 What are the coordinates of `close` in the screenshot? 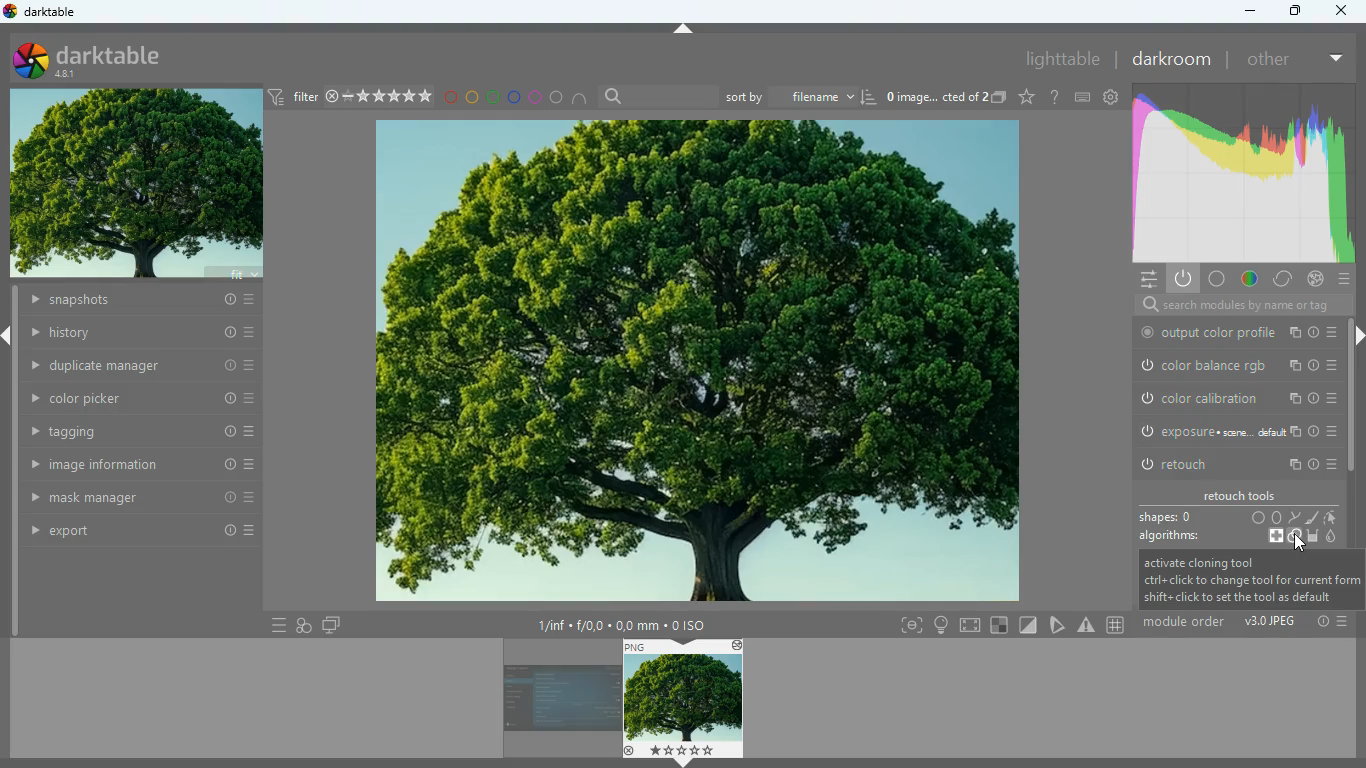 It's located at (1344, 12).